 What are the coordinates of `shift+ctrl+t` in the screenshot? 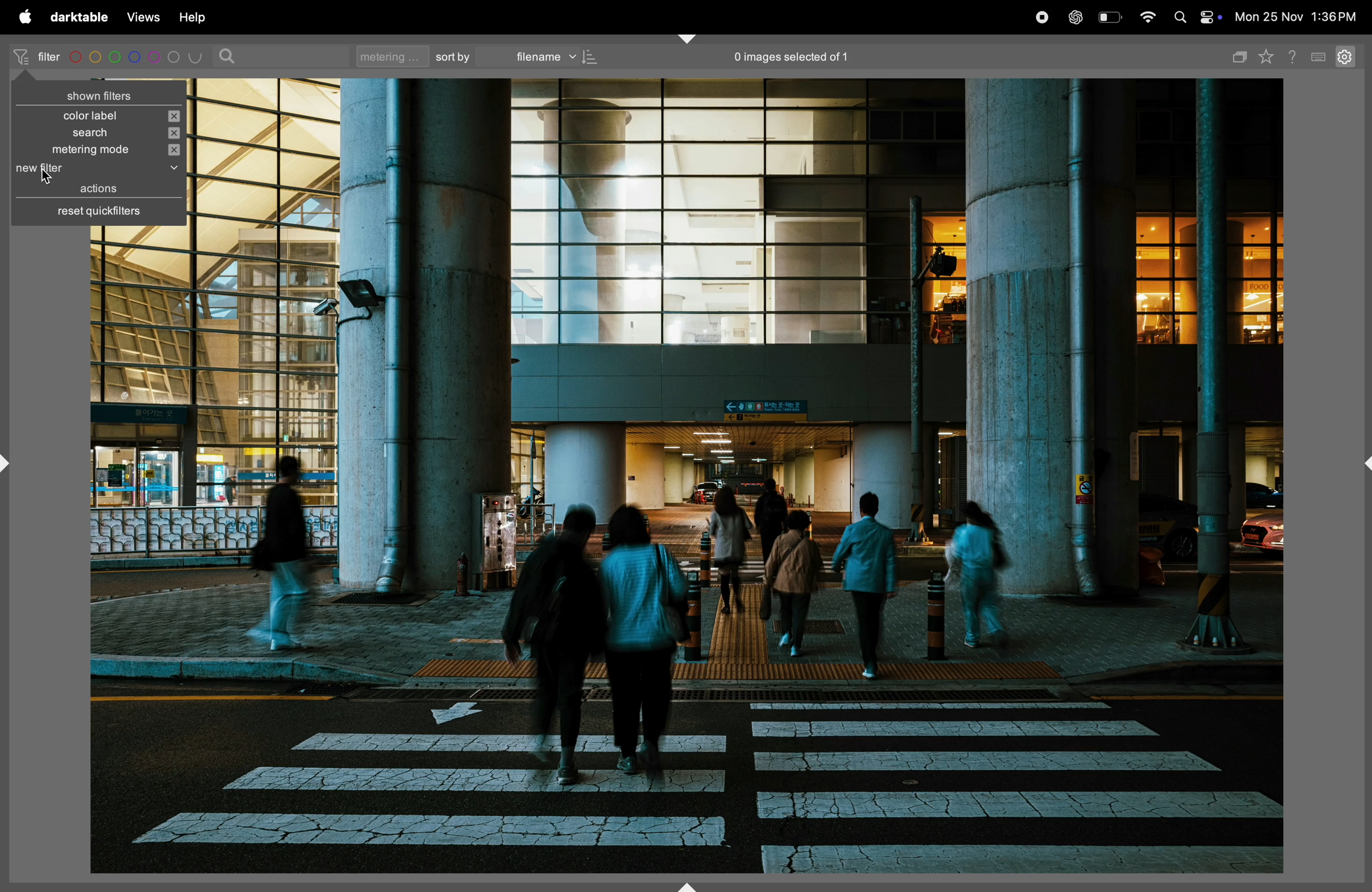 It's located at (687, 38).